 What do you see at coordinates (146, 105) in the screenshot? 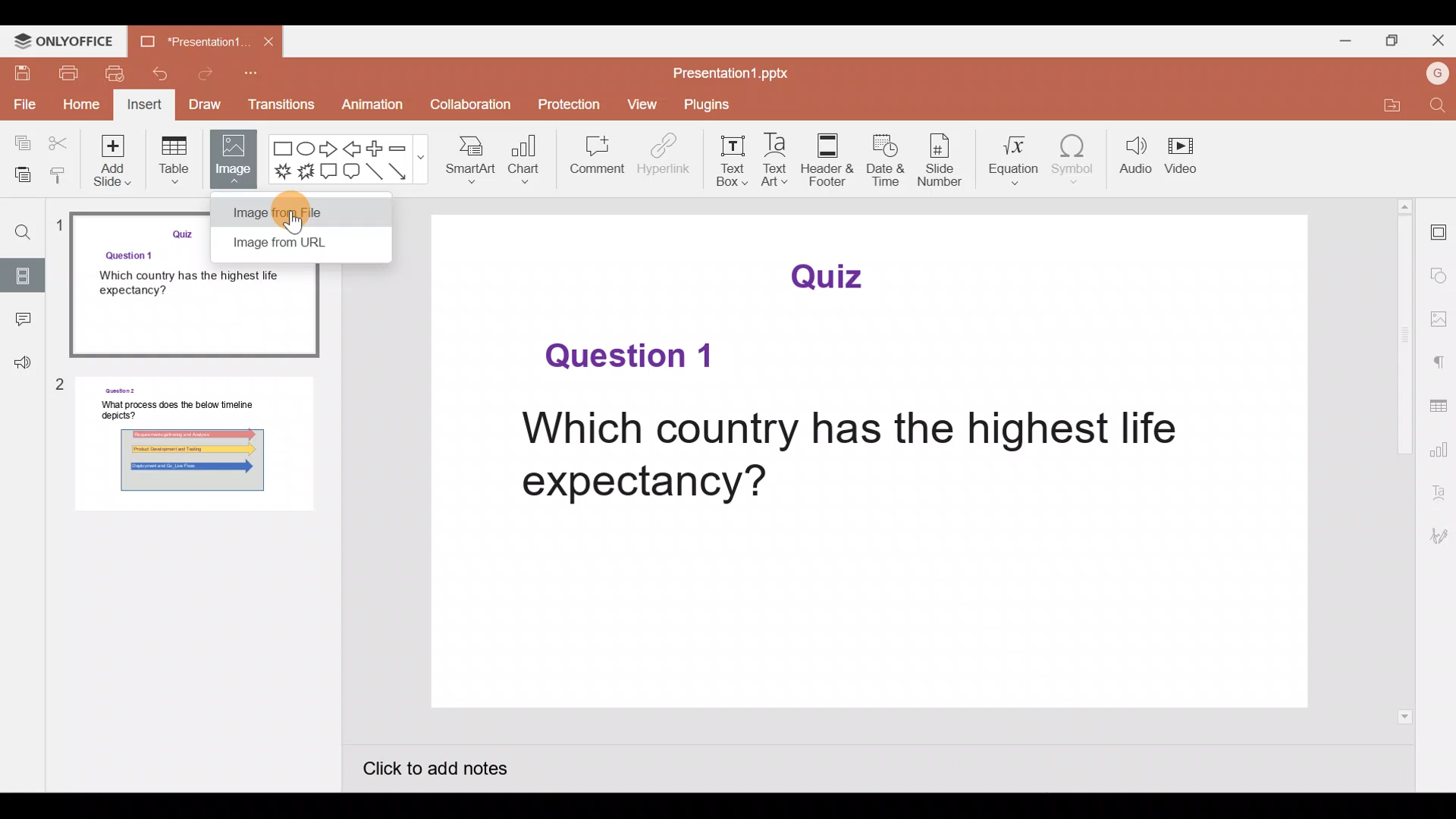
I see `Insert` at bounding box center [146, 105].